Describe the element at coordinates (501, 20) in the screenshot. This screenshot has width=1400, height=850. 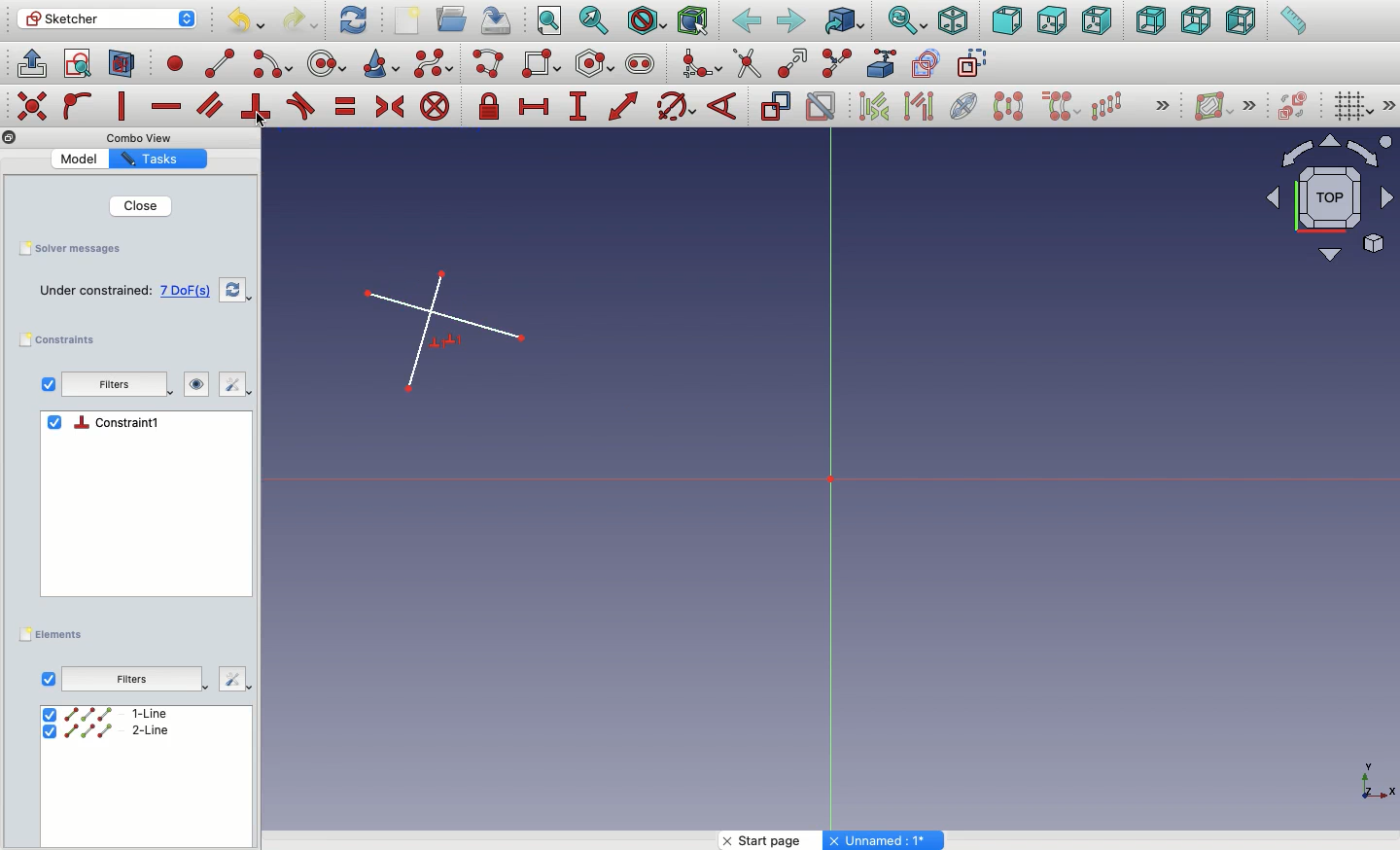
I see `Save` at that location.